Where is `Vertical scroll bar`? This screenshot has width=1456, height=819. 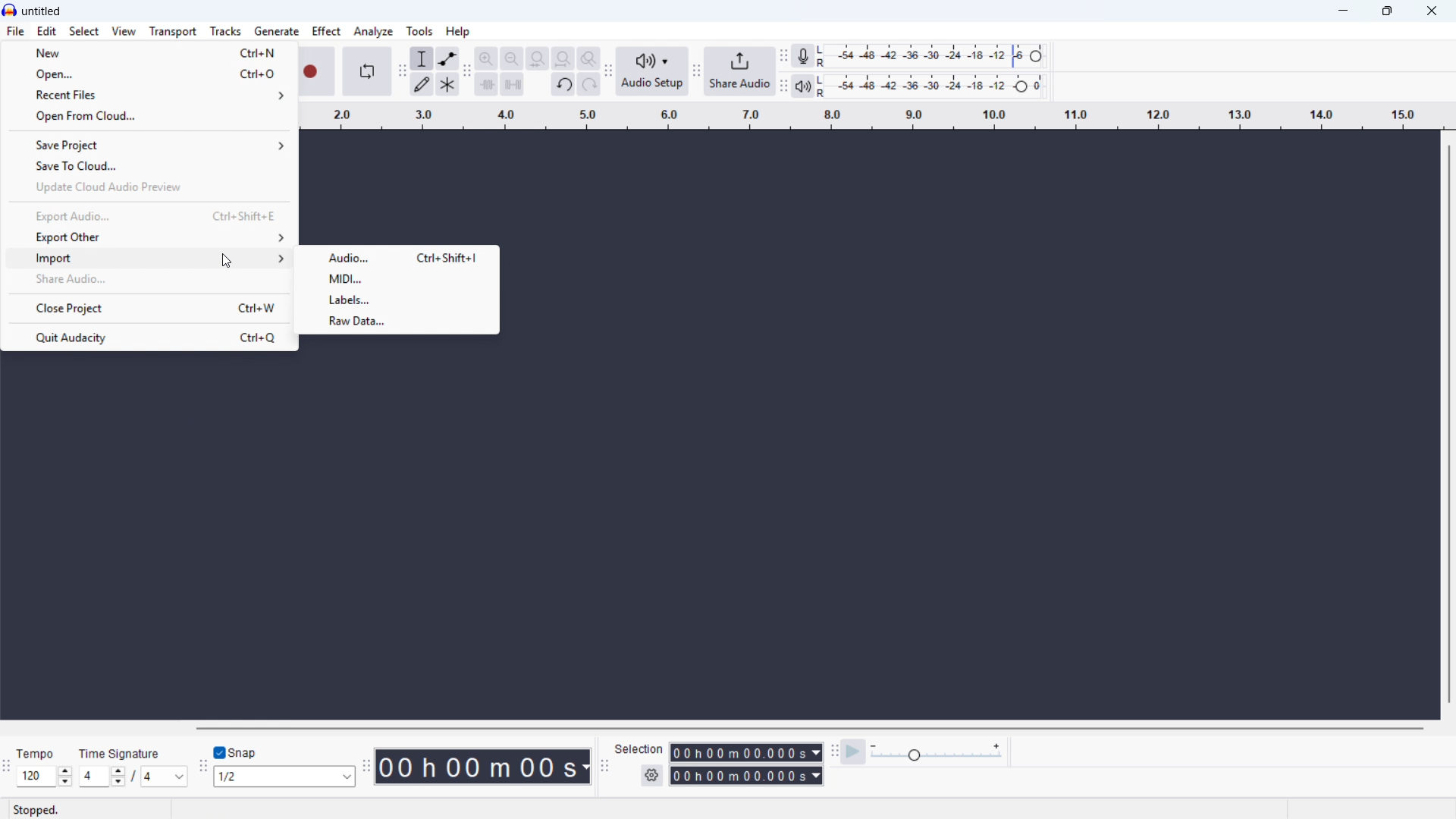 Vertical scroll bar is located at coordinates (1448, 422).